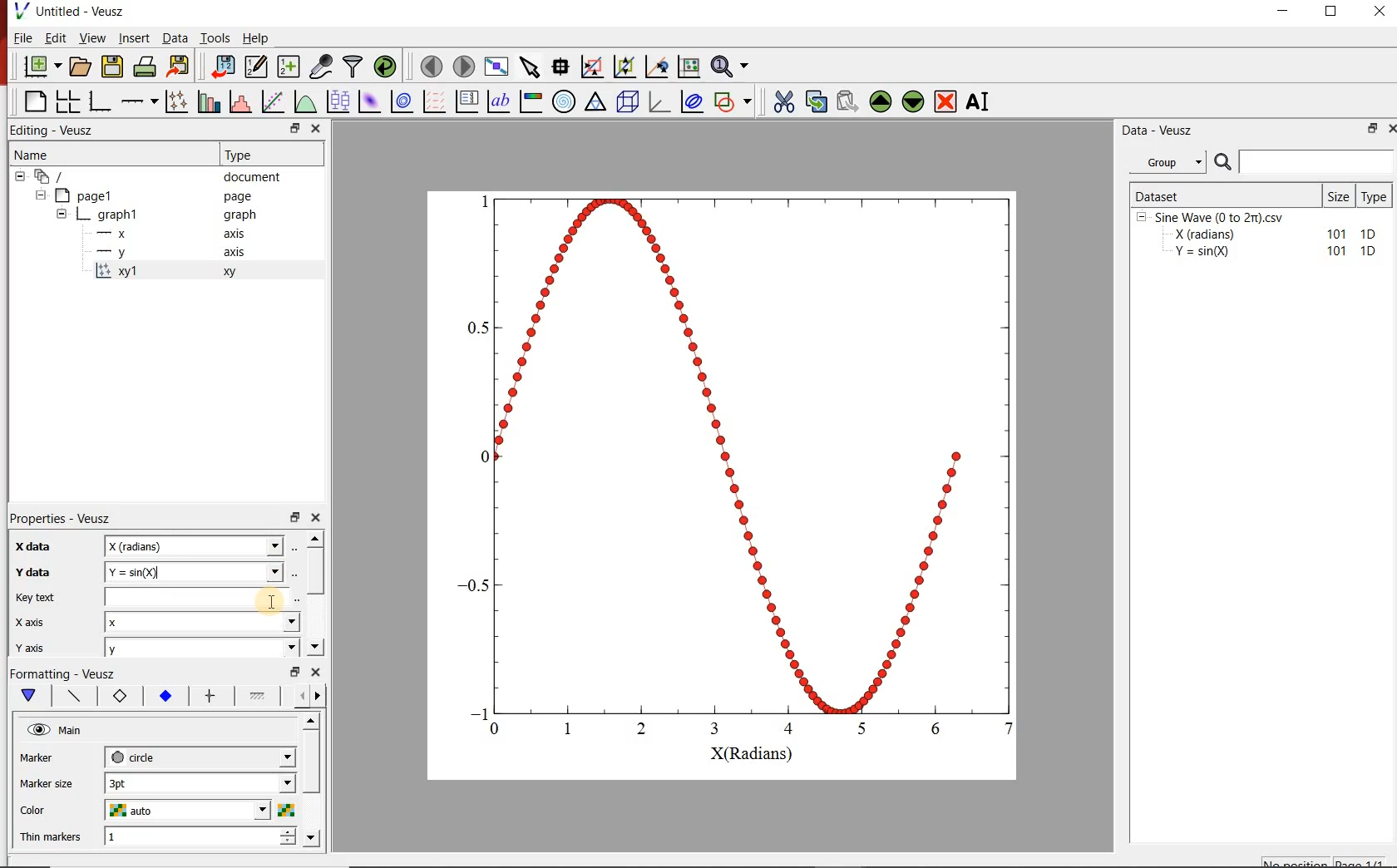  Describe the element at coordinates (313, 837) in the screenshot. I see `Down` at that location.